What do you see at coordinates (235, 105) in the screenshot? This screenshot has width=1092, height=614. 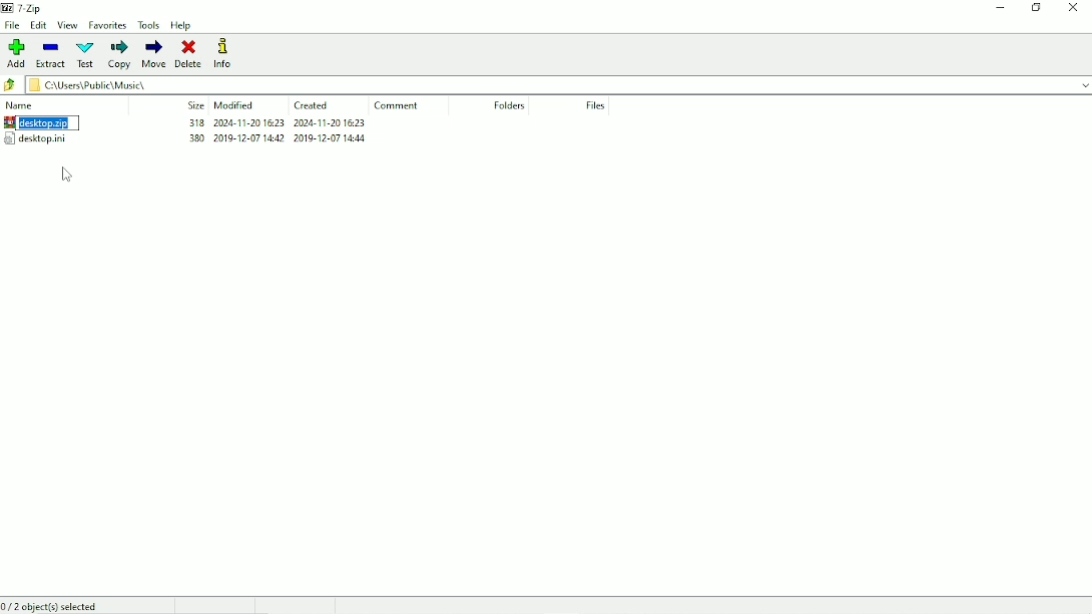 I see `Modified` at bounding box center [235, 105].